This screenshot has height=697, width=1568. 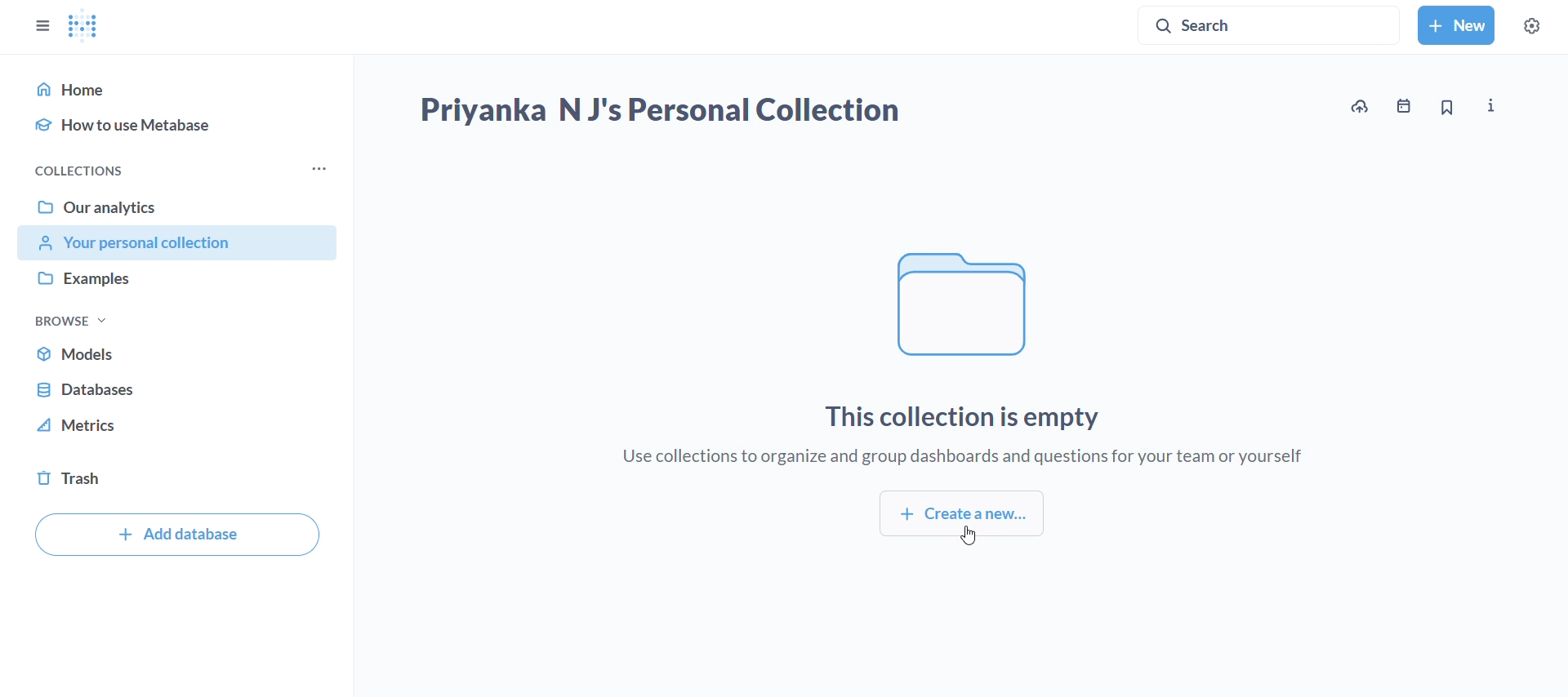 I want to click on folder logo, so click(x=964, y=302).